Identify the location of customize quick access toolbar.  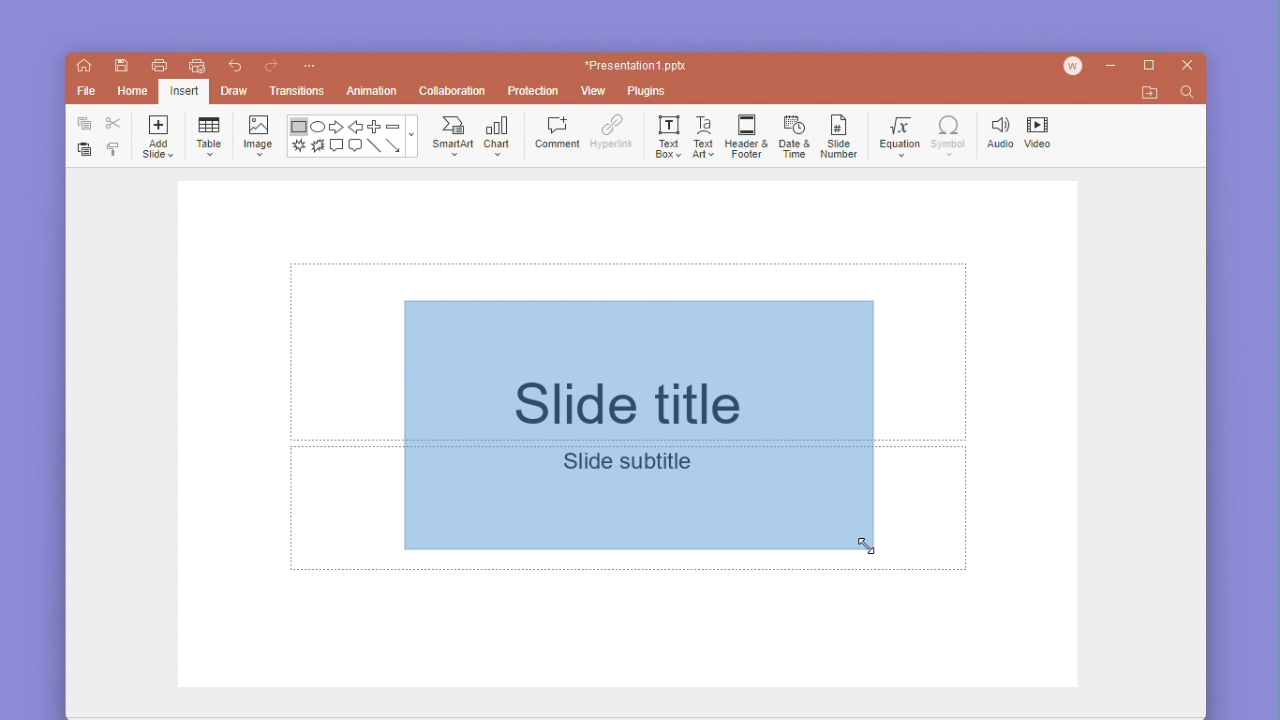
(311, 64).